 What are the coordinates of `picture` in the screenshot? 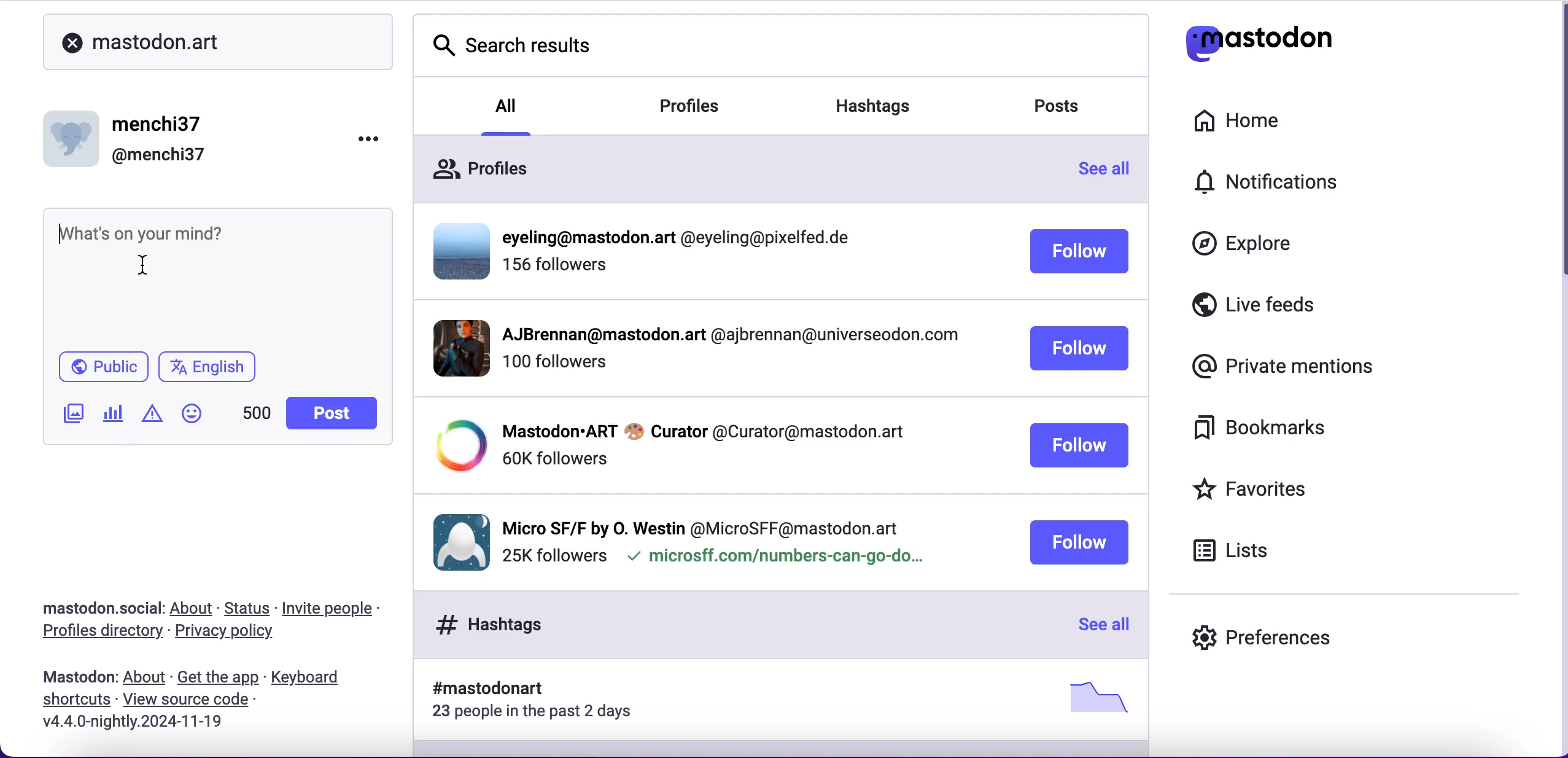 It's located at (1093, 697).